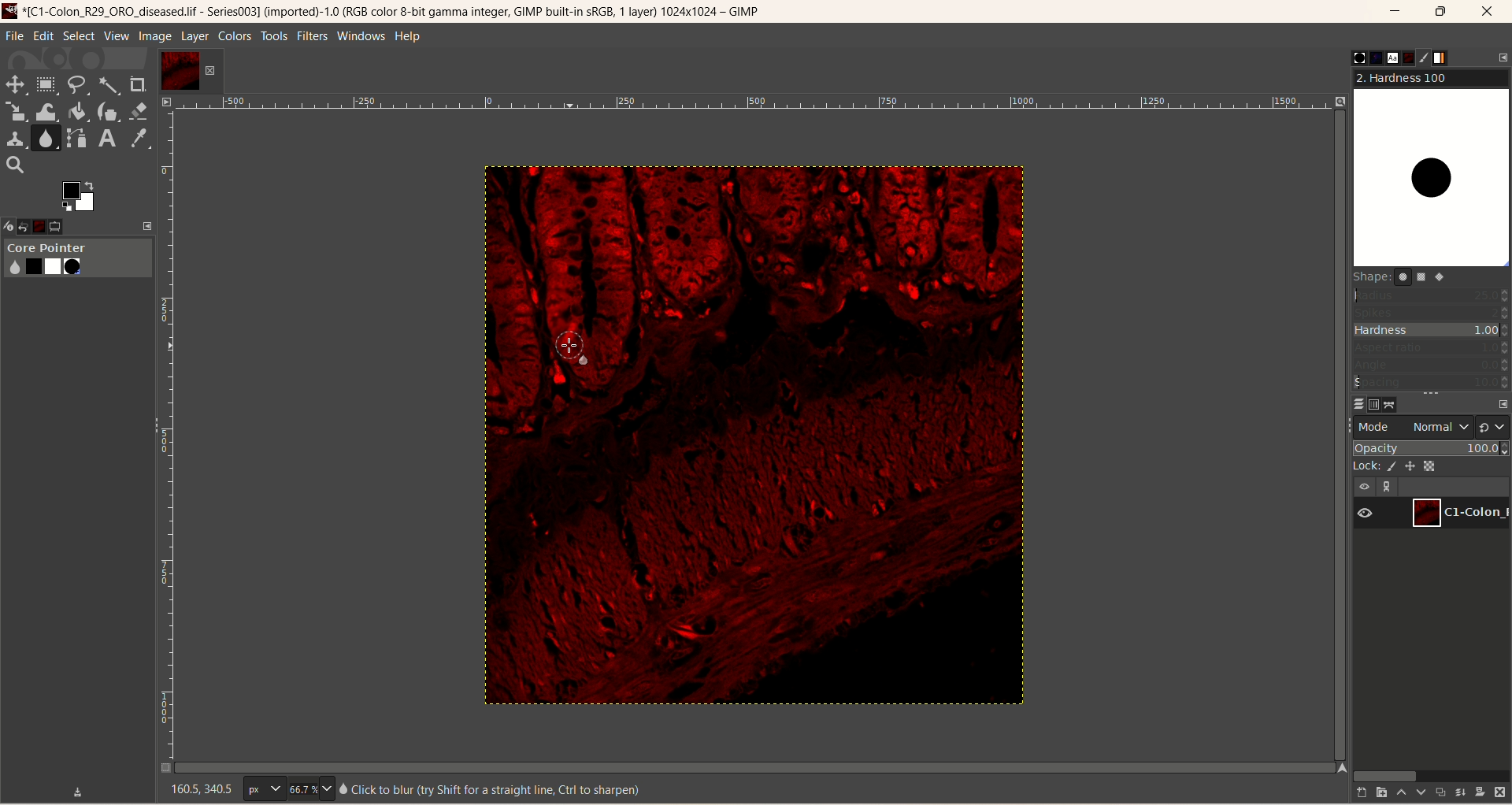 This screenshot has width=1512, height=805. Describe the element at coordinates (108, 111) in the screenshot. I see `ink tool` at that location.